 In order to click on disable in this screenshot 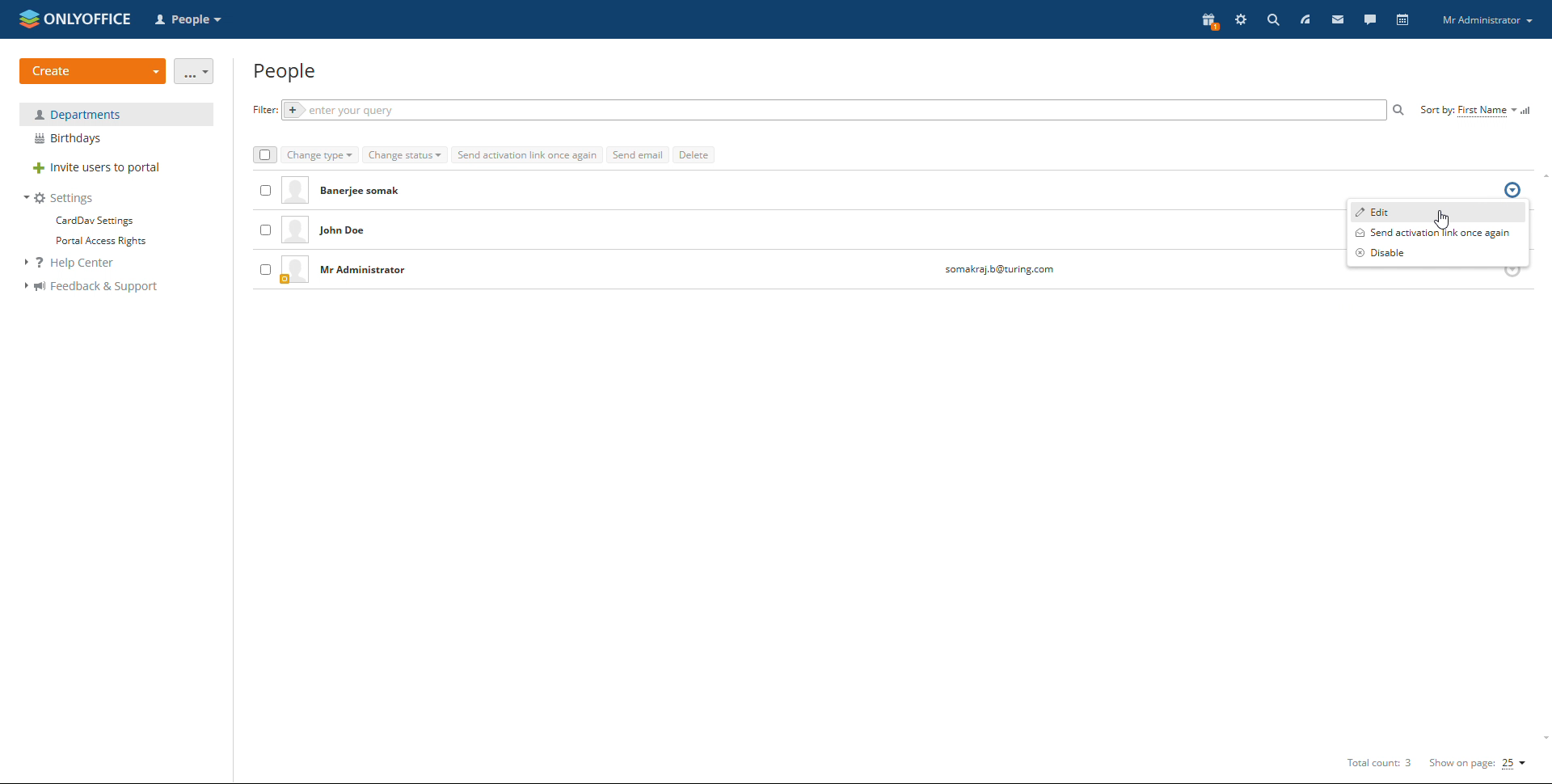, I will do `click(1438, 253)`.